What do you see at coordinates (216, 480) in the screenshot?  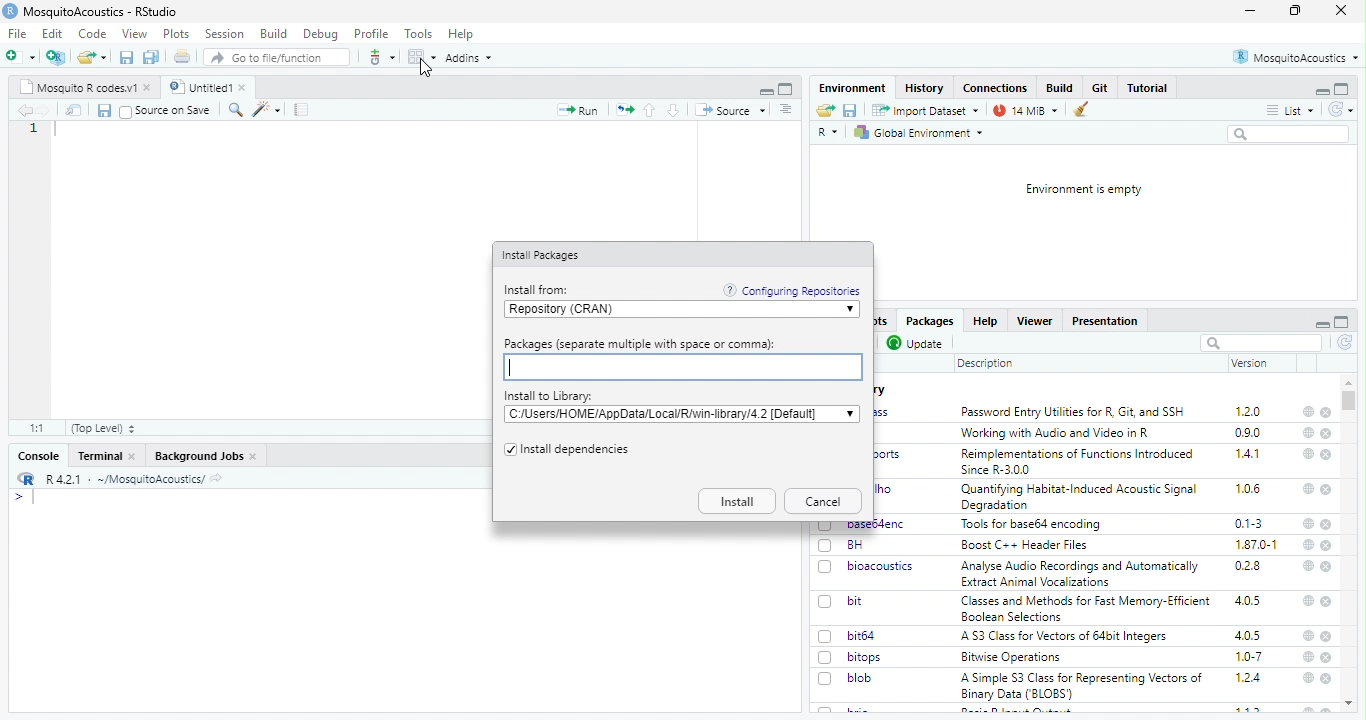 I see `share` at bounding box center [216, 480].